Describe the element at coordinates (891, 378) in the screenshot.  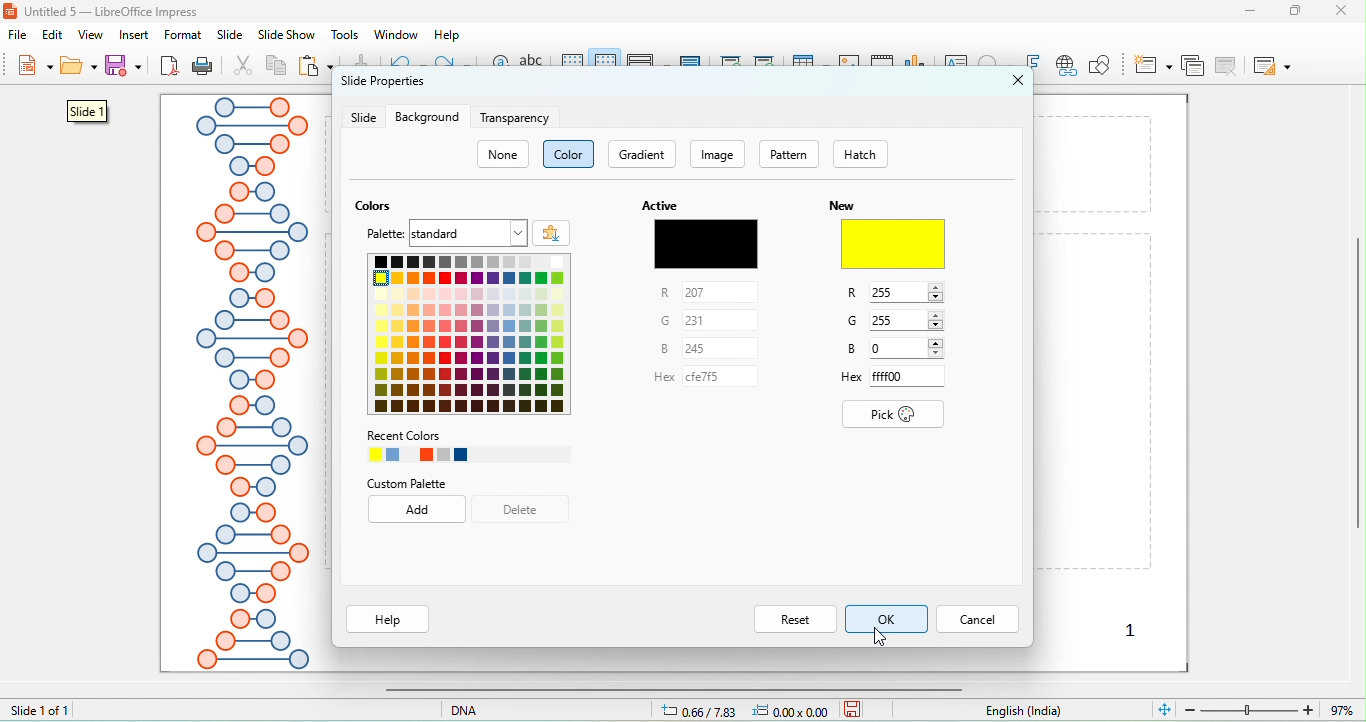
I see `Hex` at that location.